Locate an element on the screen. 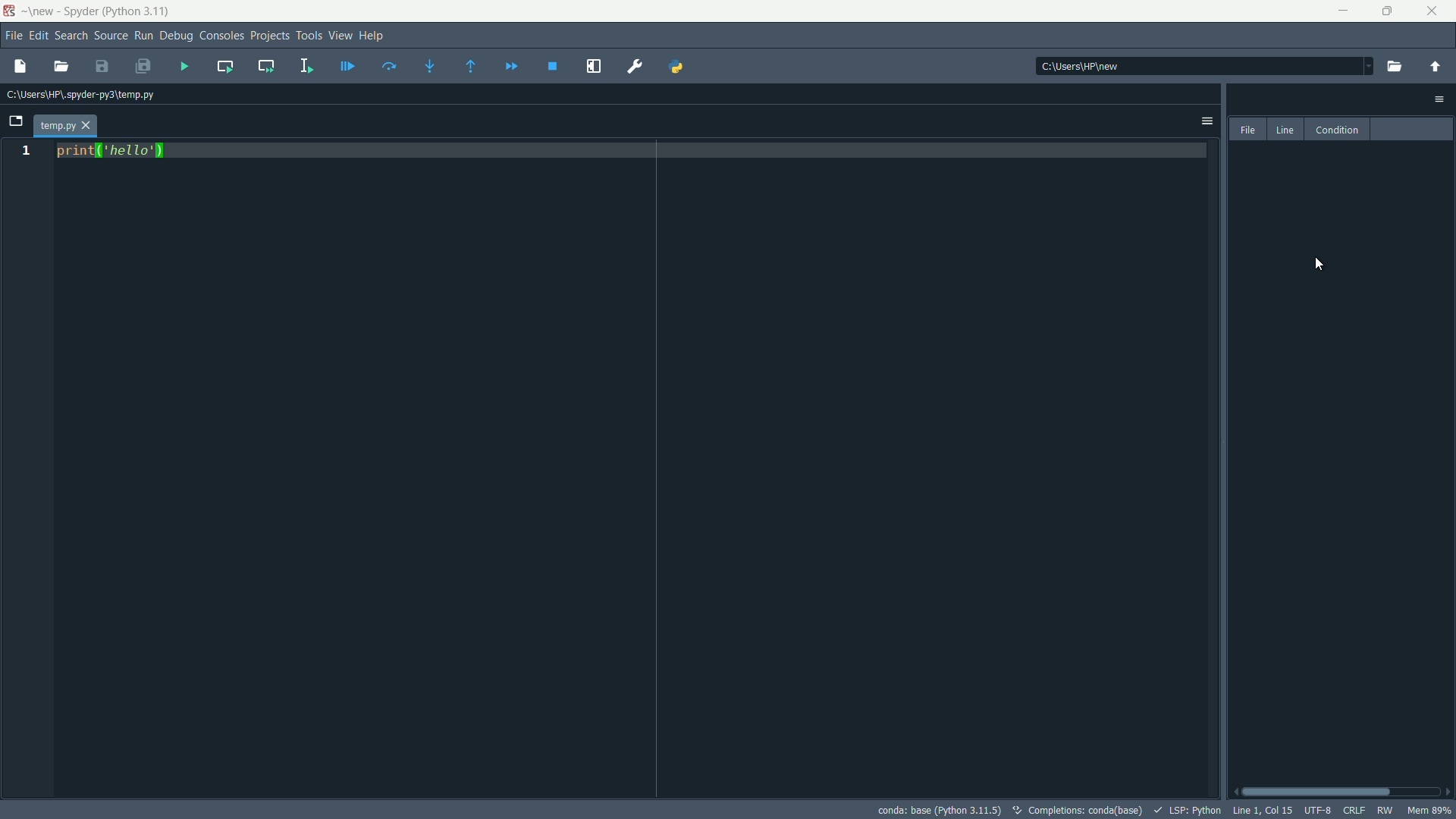 The width and height of the screenshot is (1456, 819). browse directory is located at coordinates (1396, 66).